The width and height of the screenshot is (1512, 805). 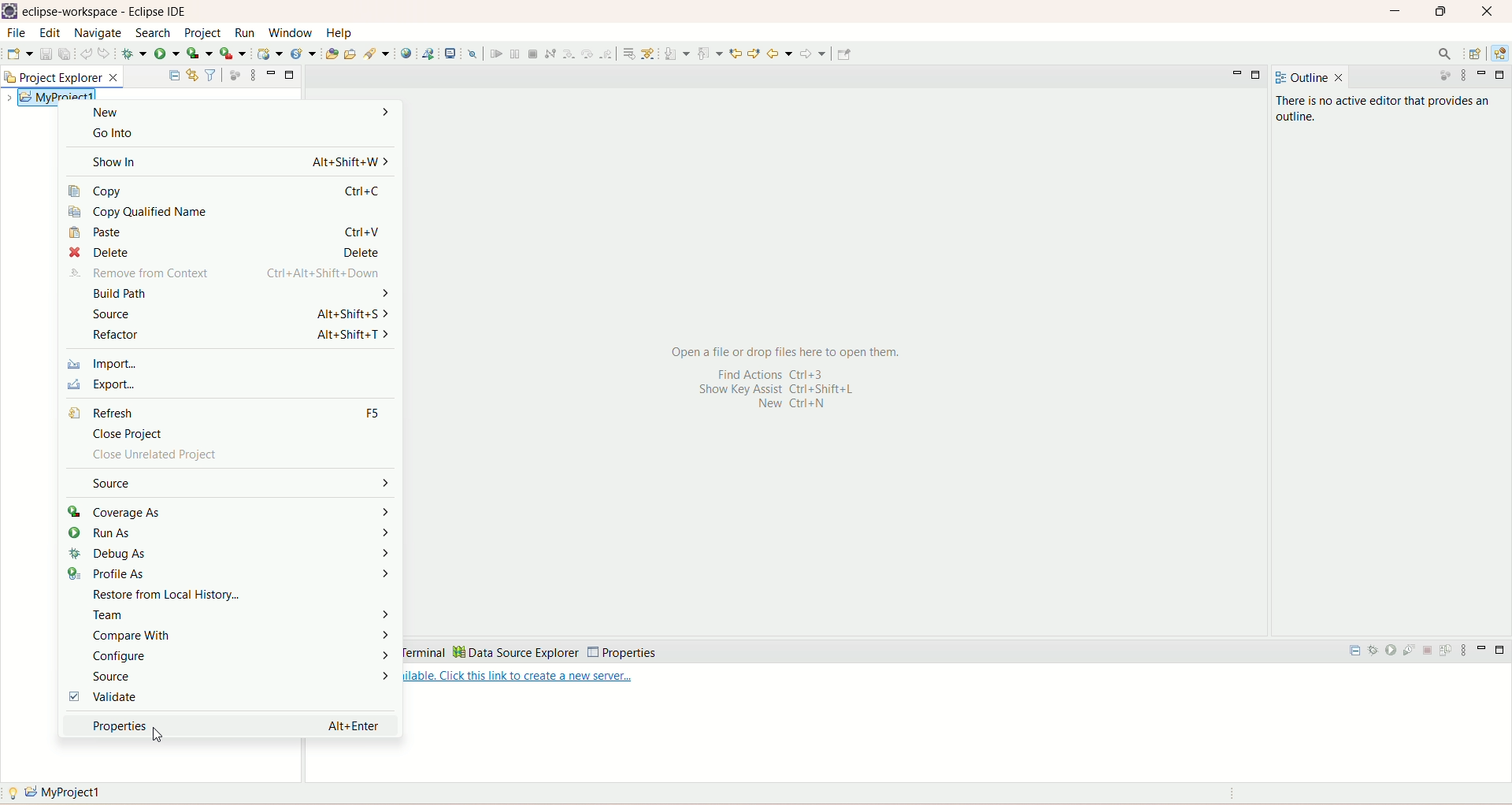 What do you see at coordinates (209, 75) in the screenshot?
I see `filter` at bounding box center [209, 75].